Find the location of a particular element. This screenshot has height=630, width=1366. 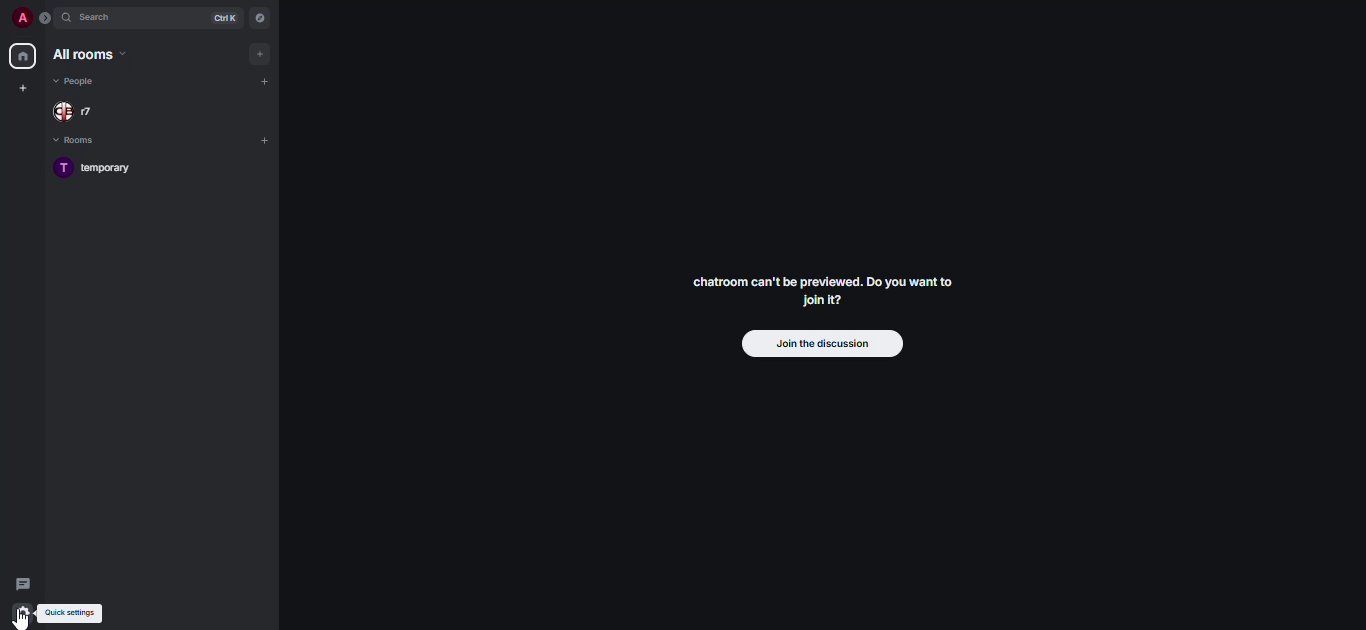

profile is located at coordinates (21, 19).